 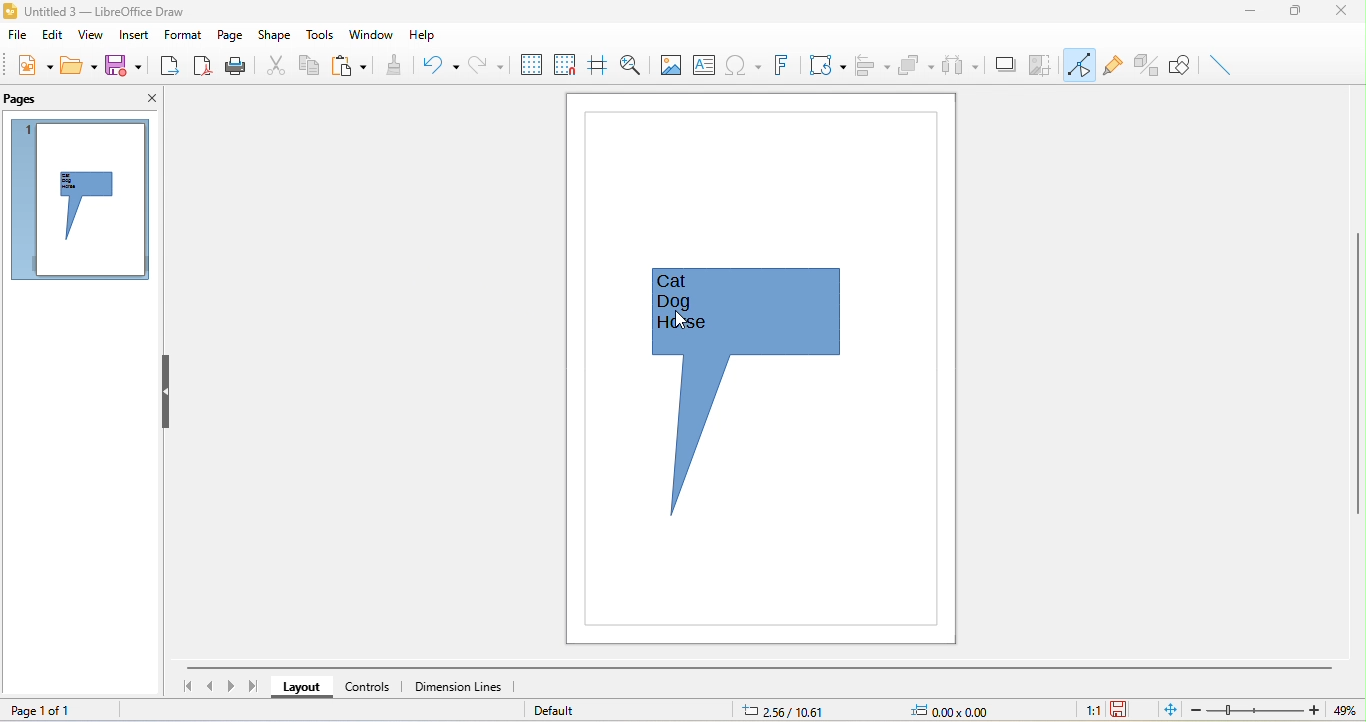 What do you see at coordinates (1343, 15) in the screenshot?
I see `close` at bounding box center [1343, 15].